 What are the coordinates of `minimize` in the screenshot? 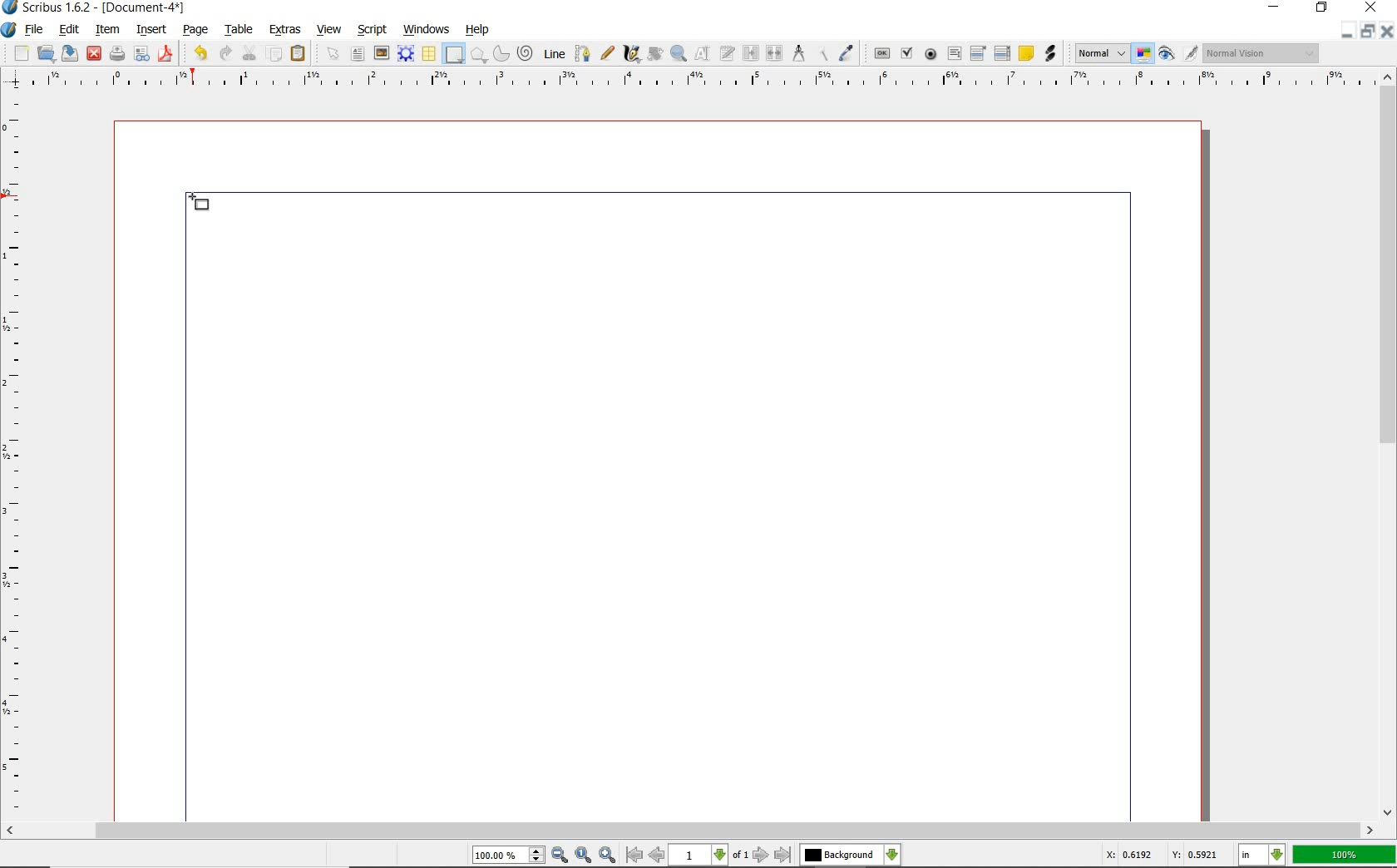 It's located at (1275, 7).